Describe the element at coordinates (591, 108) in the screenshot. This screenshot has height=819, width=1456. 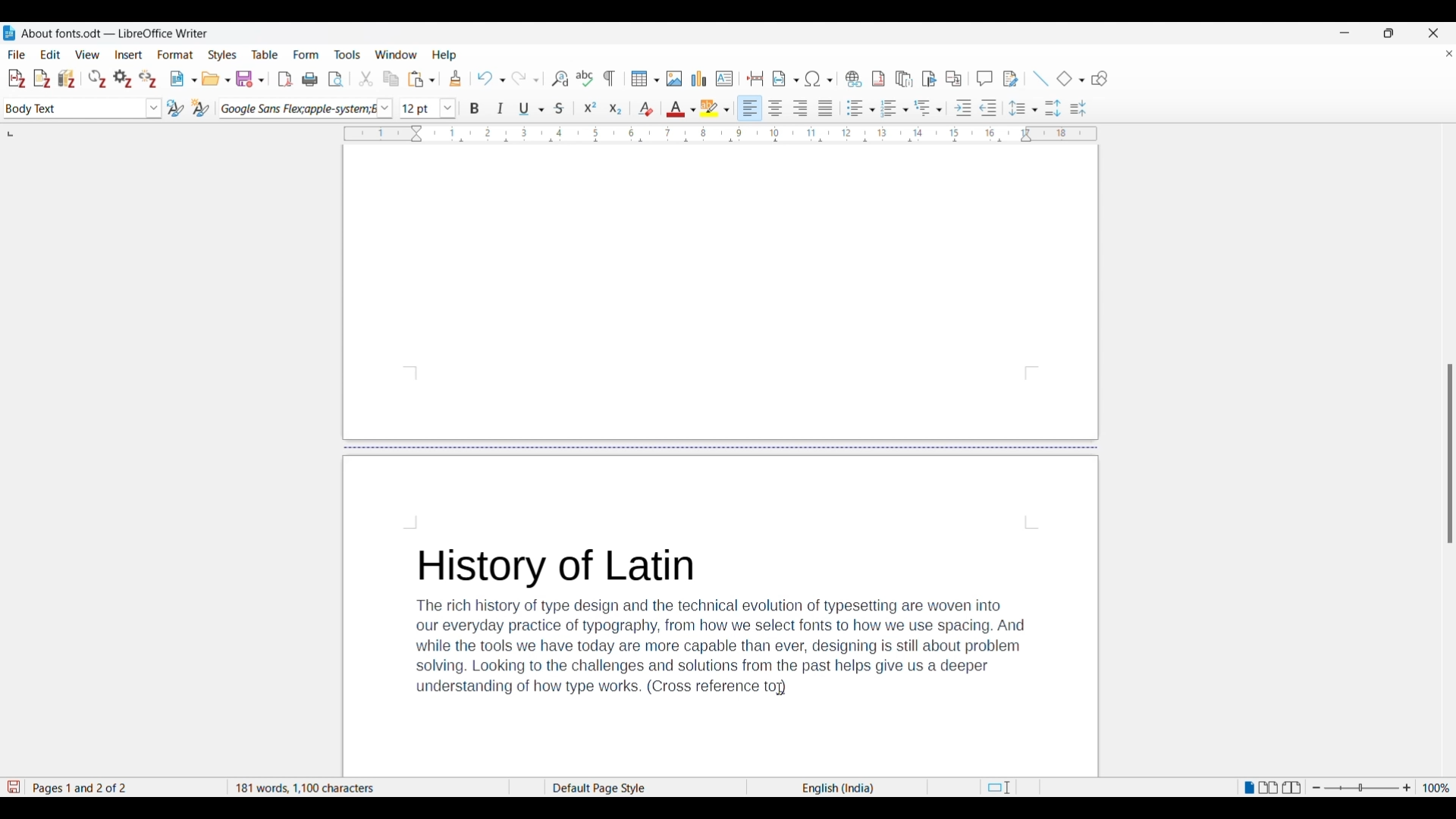
I see `Superscript` at that location.